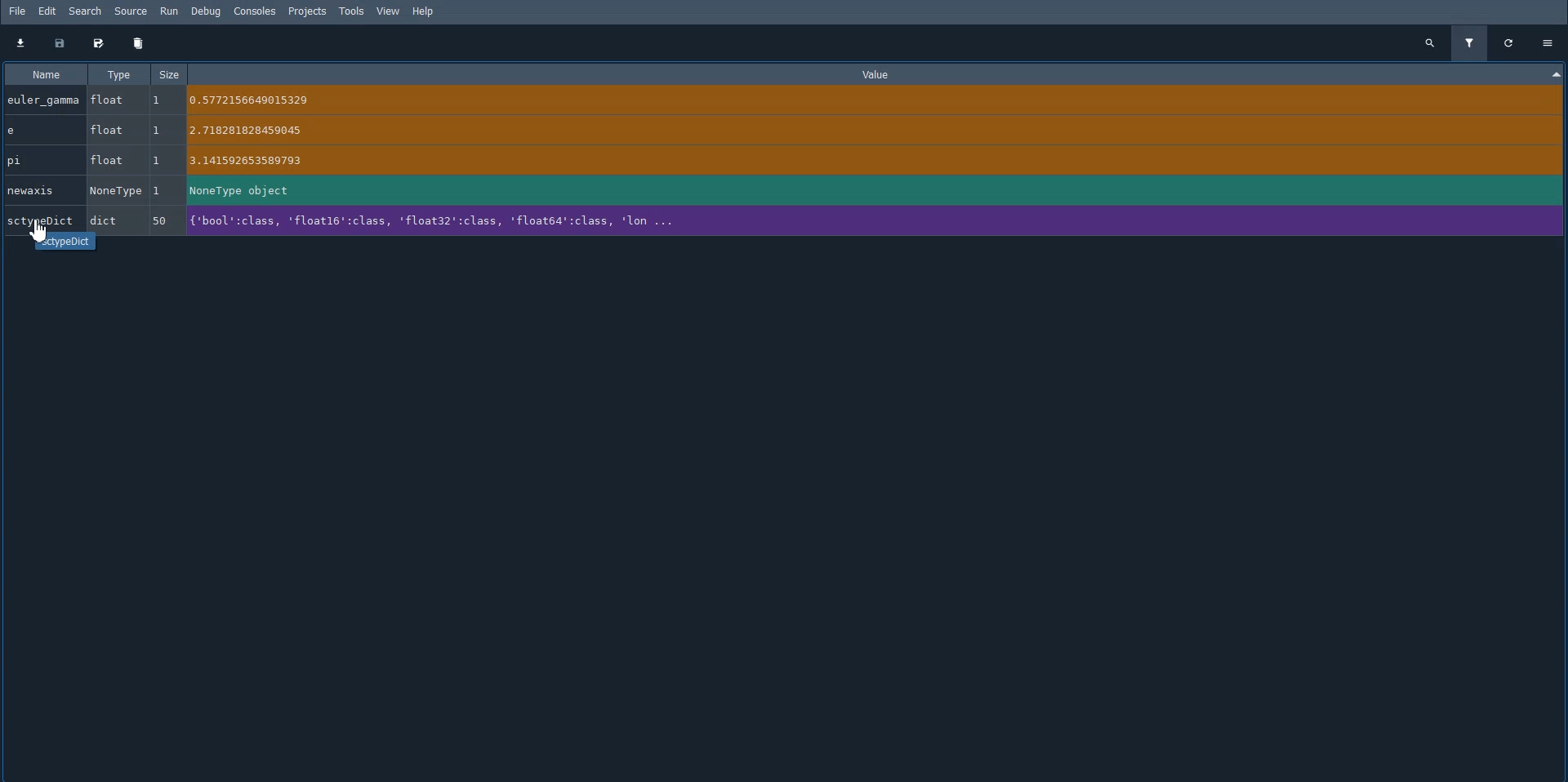 The height and width of the screenshot is (782, 1568). What do you see at coordinates (284, 160) in the screenshot?
I see `pi` at bounding box center [284, 160].